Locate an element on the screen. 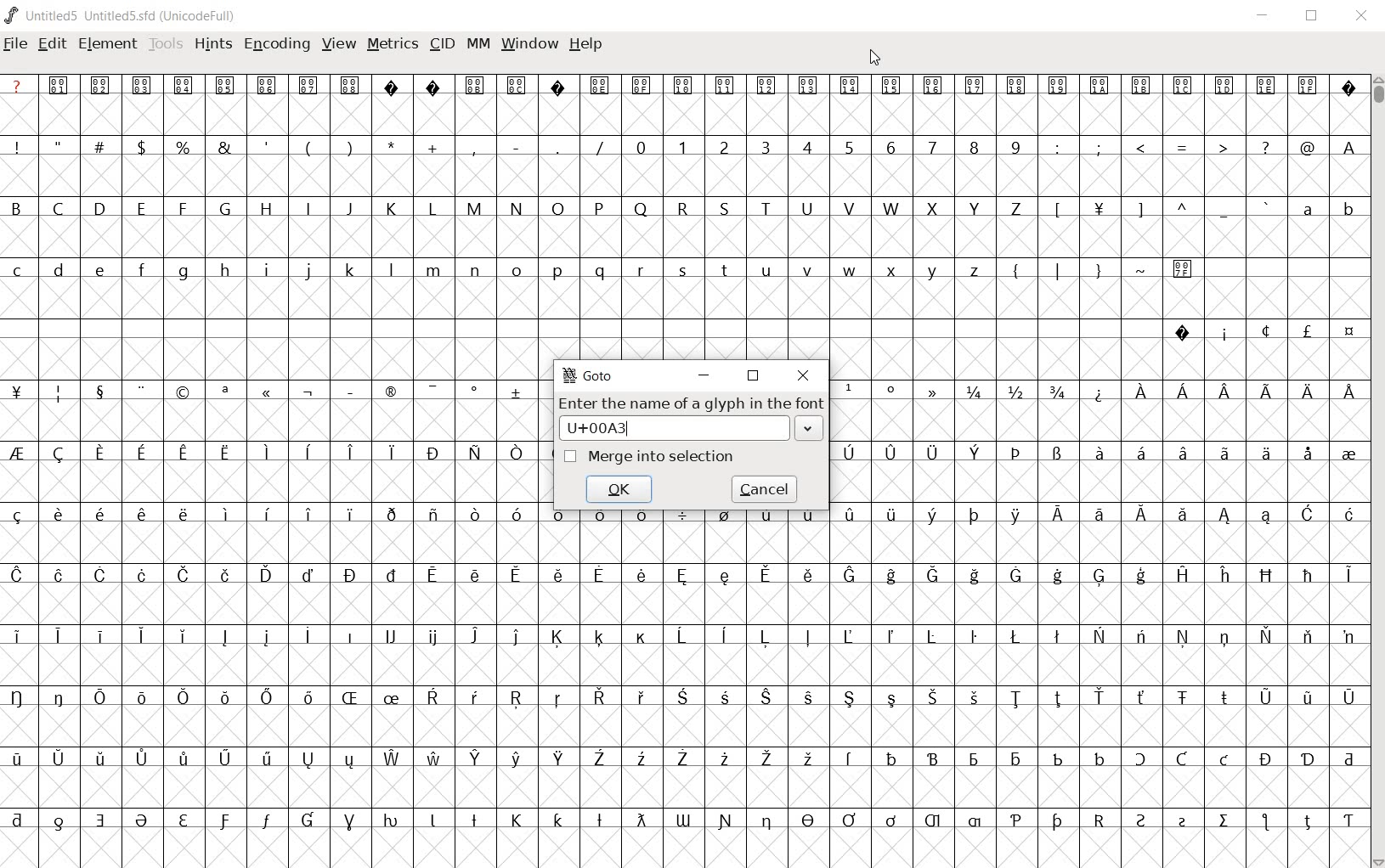 The height and width of the screenshot is (868, 1385). 3 is located at coordinates (765, 146).